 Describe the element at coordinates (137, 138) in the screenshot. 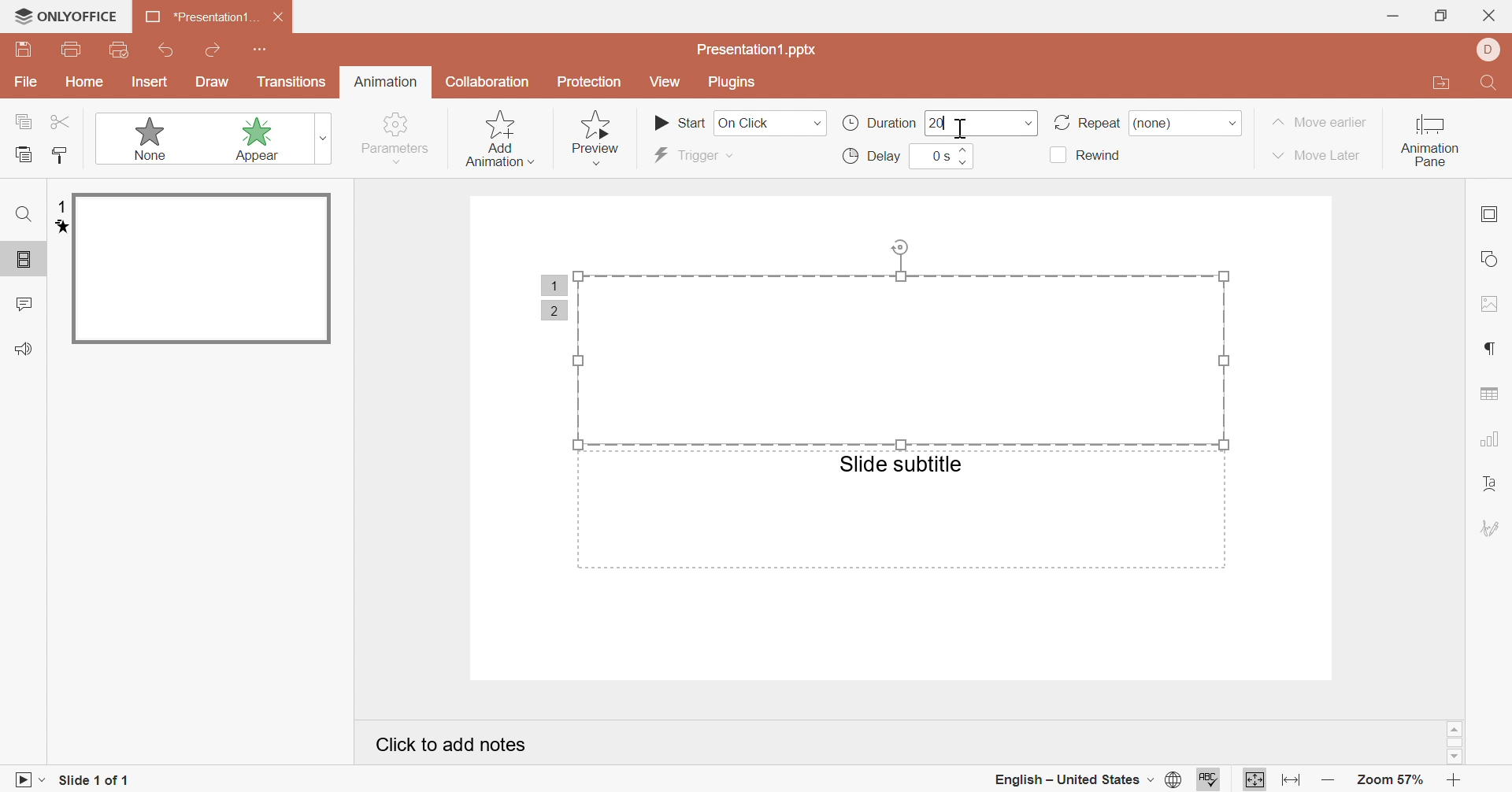

I see `none` at that location.